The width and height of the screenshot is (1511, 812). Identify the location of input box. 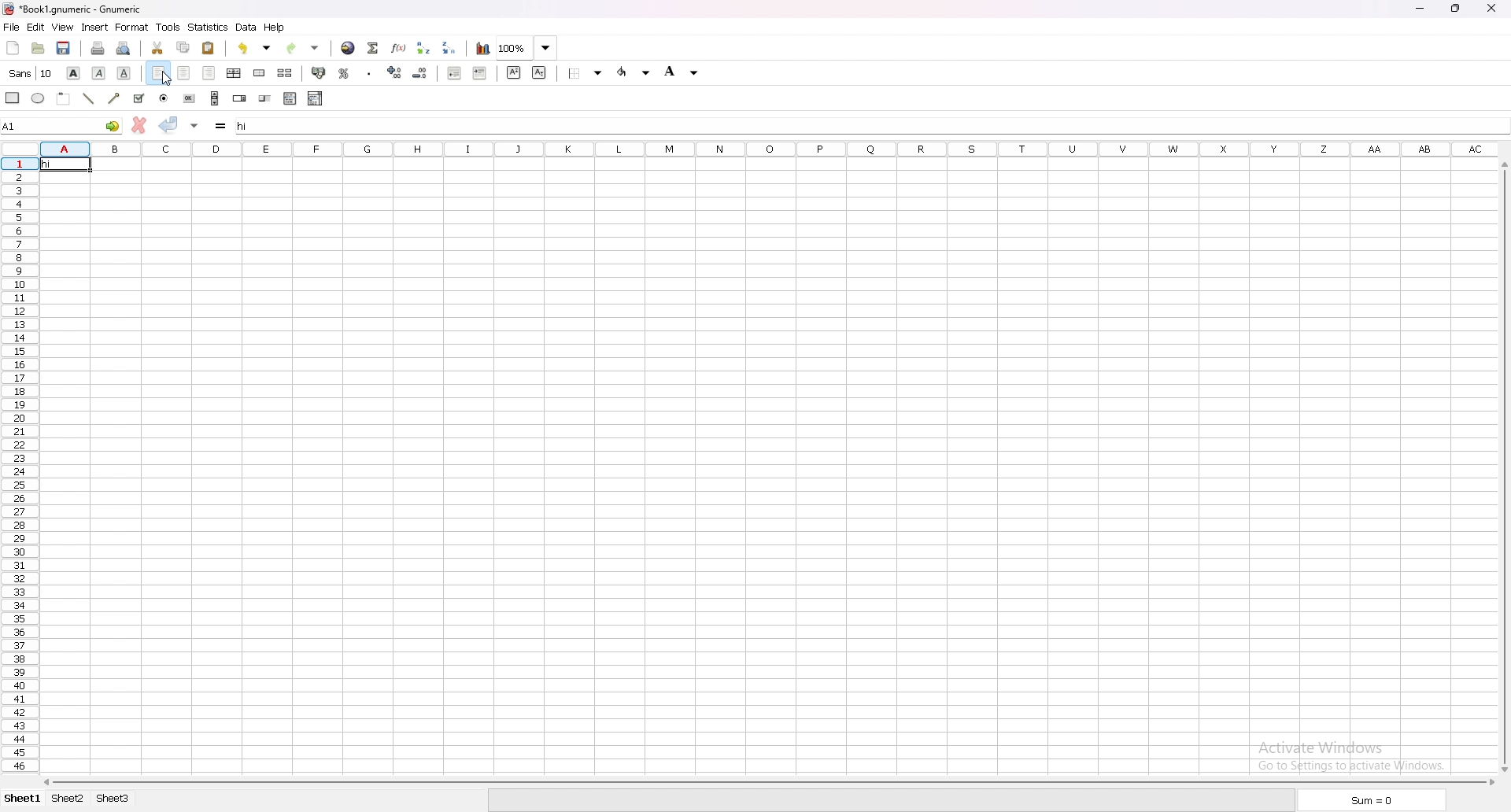
(870, 123).